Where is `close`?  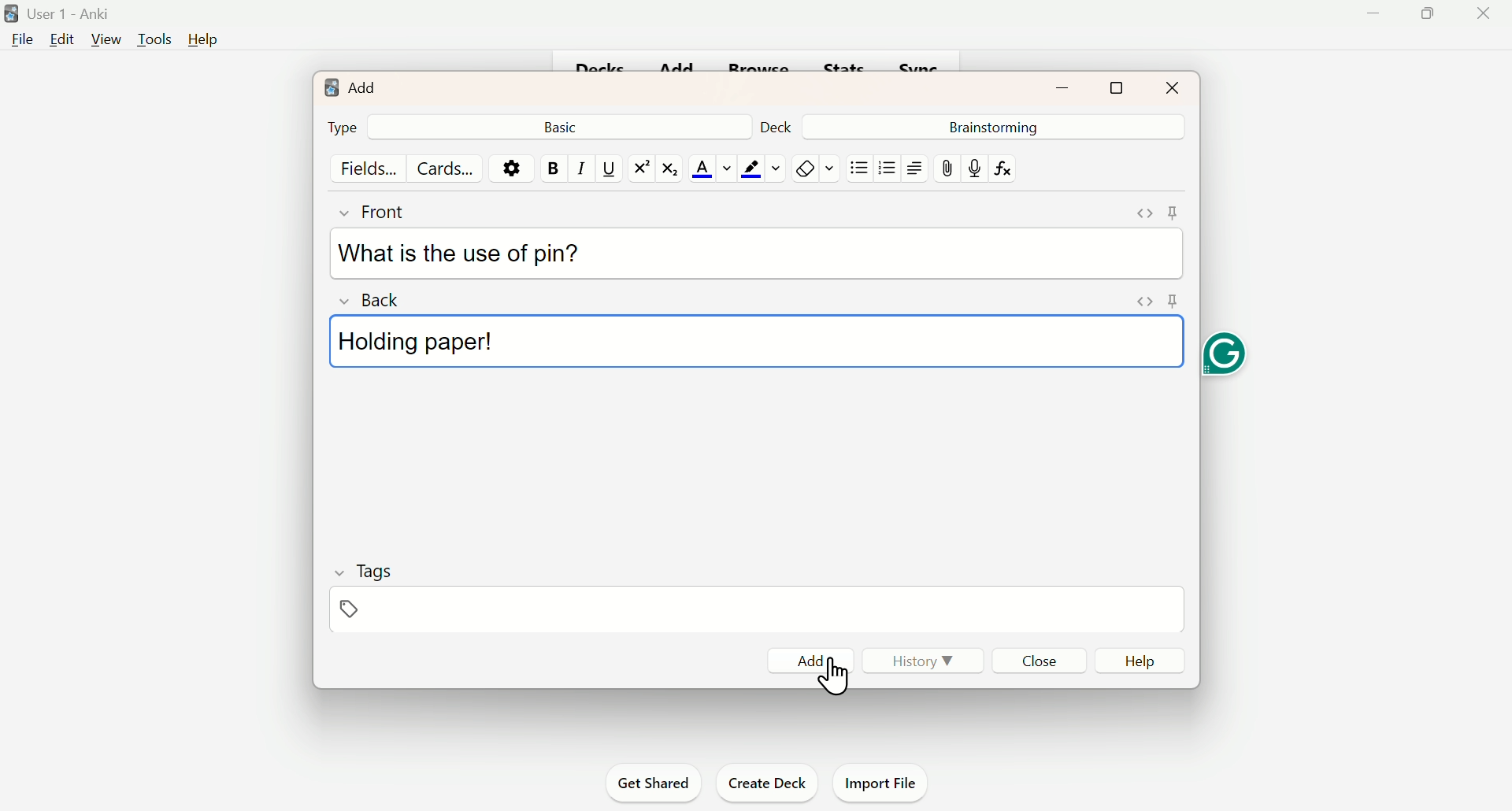 close is located at coordinates (1492, 19).